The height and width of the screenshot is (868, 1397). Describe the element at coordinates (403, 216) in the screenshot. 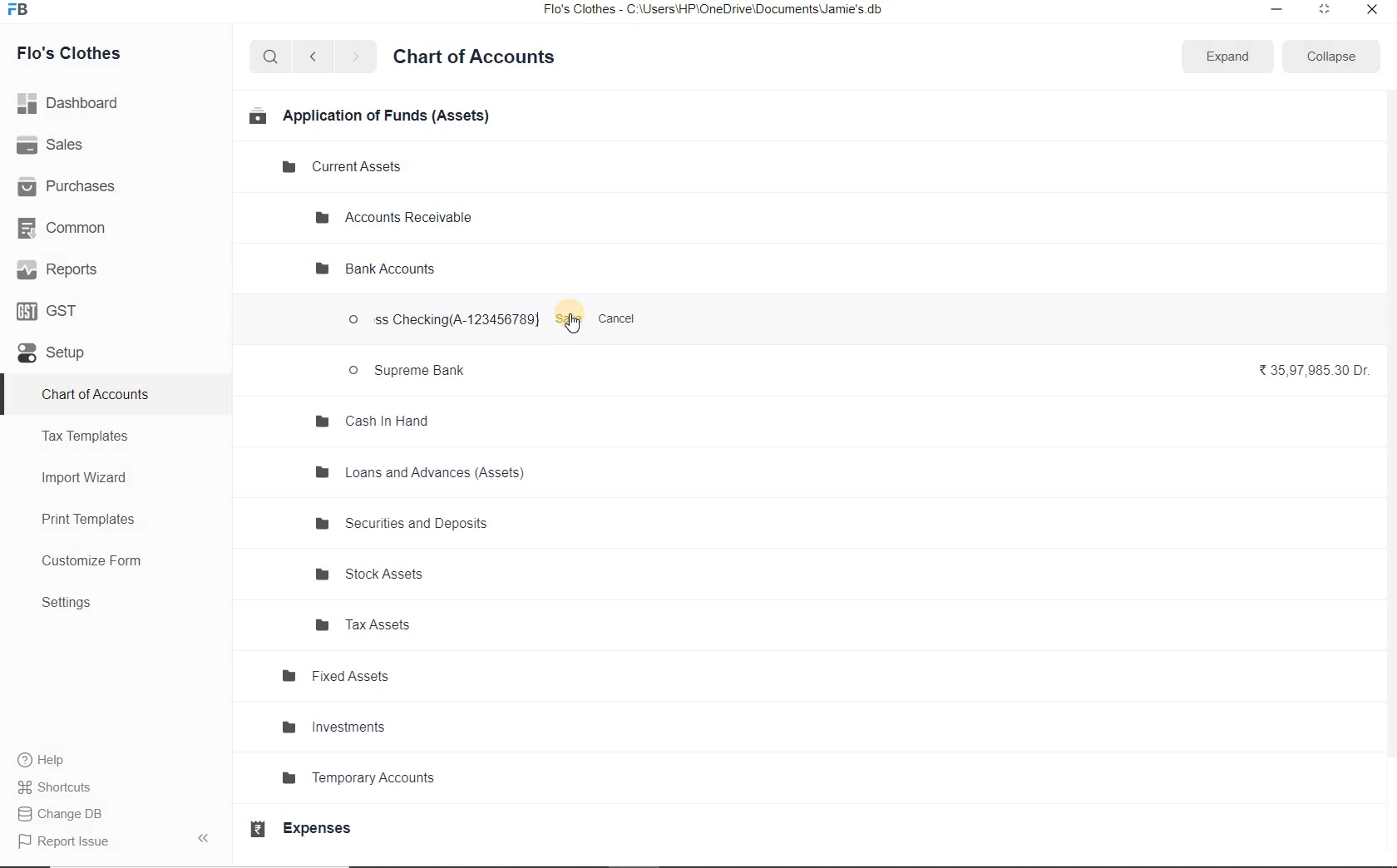

I see `Accounts Receivable` at that location.